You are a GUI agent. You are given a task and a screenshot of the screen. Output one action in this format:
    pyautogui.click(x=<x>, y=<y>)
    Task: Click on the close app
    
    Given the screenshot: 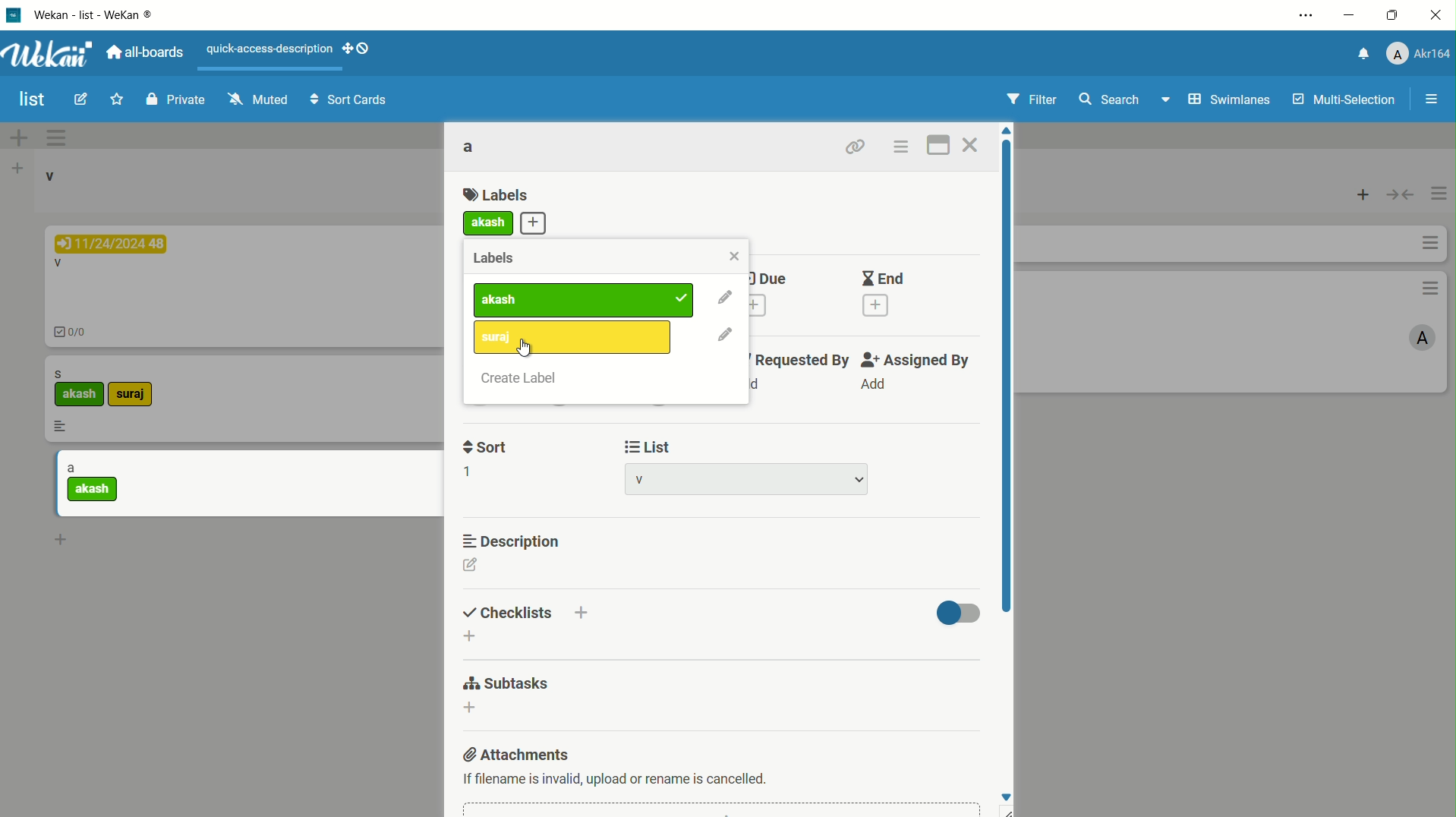 What is the action you would take?
    pyautogui.click(x=1437, y=18)
    